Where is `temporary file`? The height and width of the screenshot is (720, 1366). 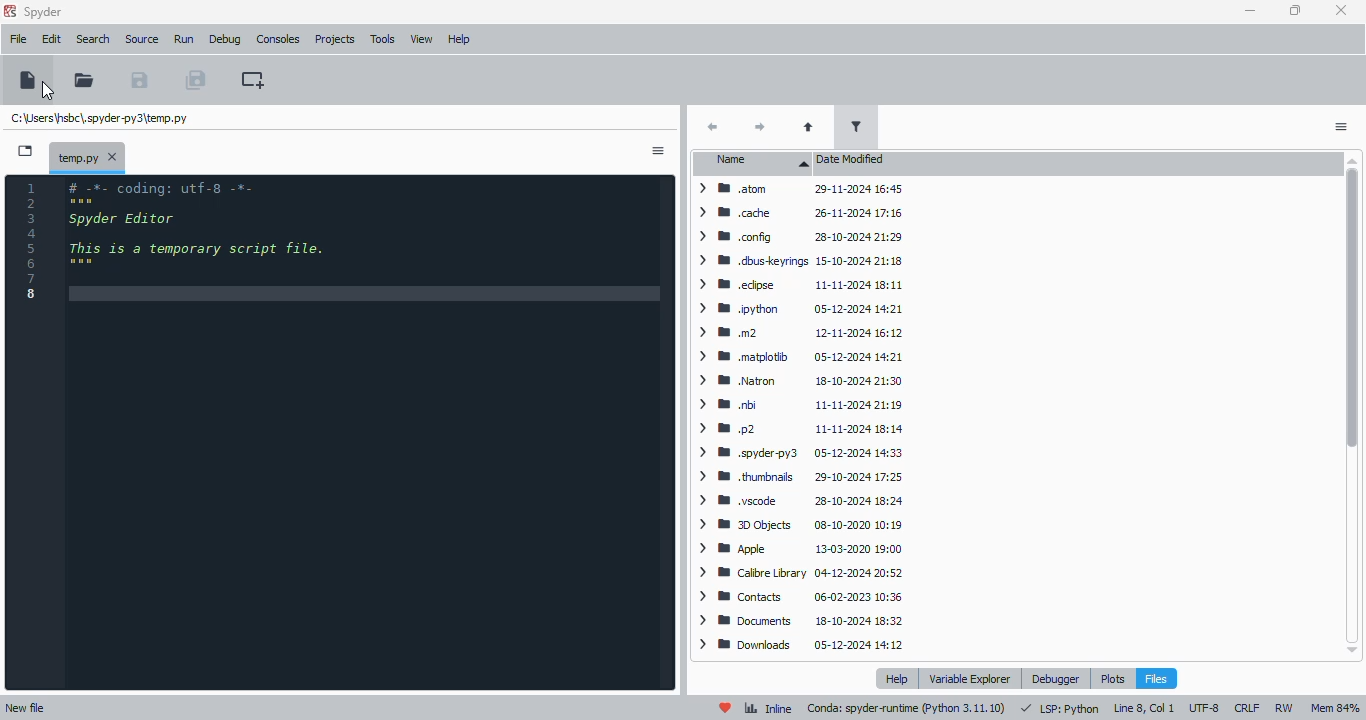 temporary file is located at coordinates (77, 156).